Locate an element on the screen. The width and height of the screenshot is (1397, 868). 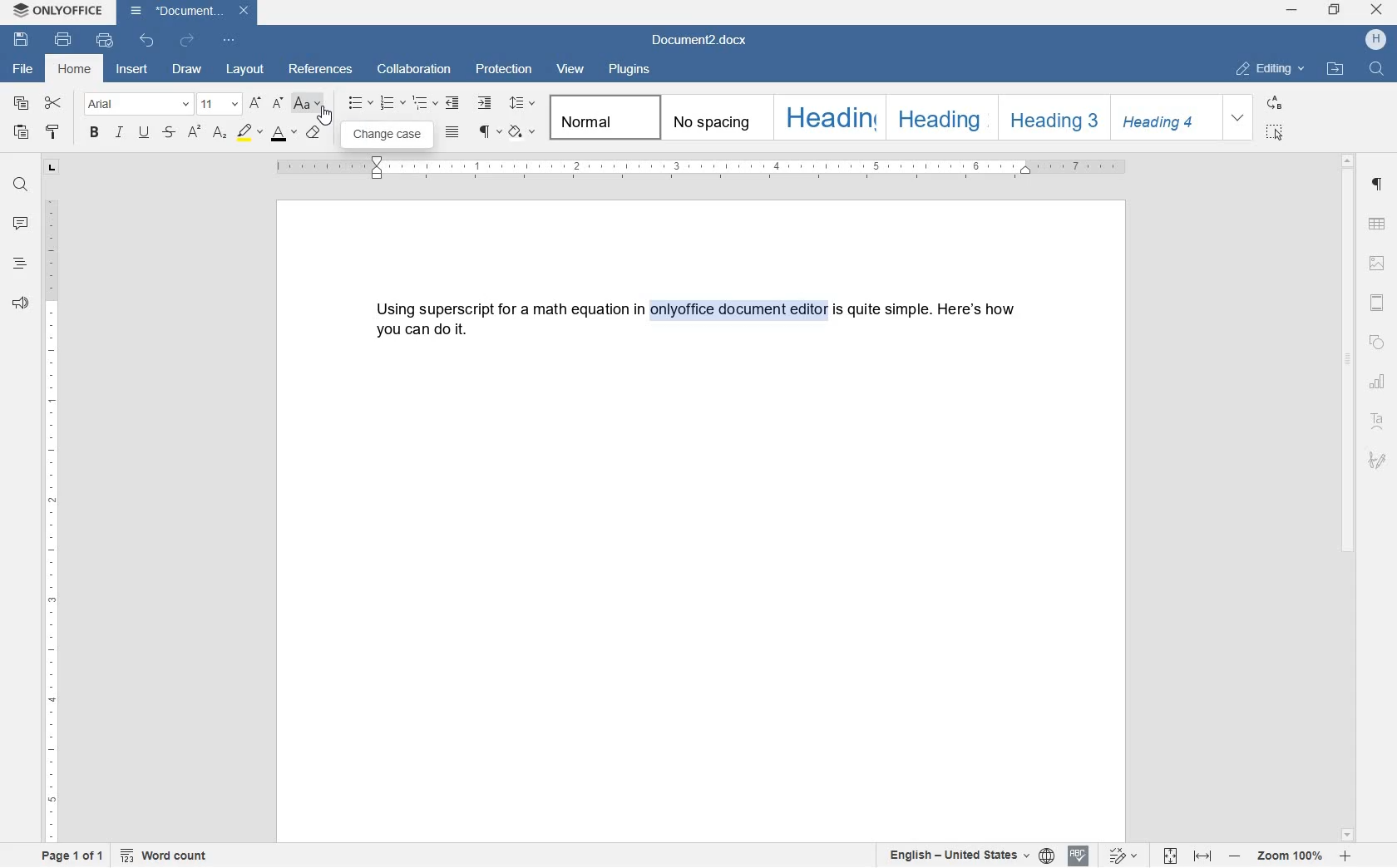
justified is located at coordinates (453, 132).